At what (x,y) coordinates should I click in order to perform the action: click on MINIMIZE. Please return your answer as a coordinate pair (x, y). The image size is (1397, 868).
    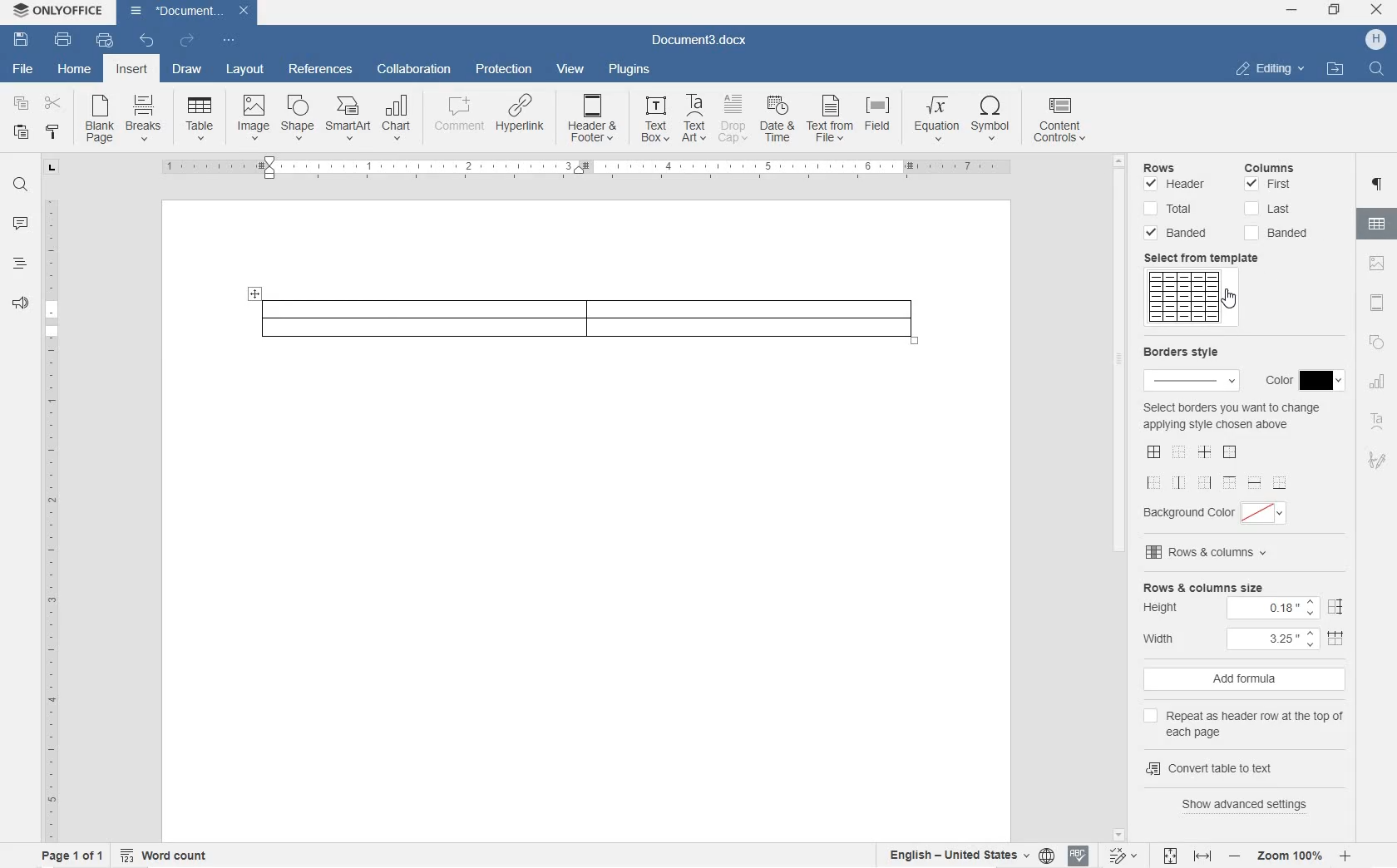
    Looking at the image, I should click on (1293, 11).